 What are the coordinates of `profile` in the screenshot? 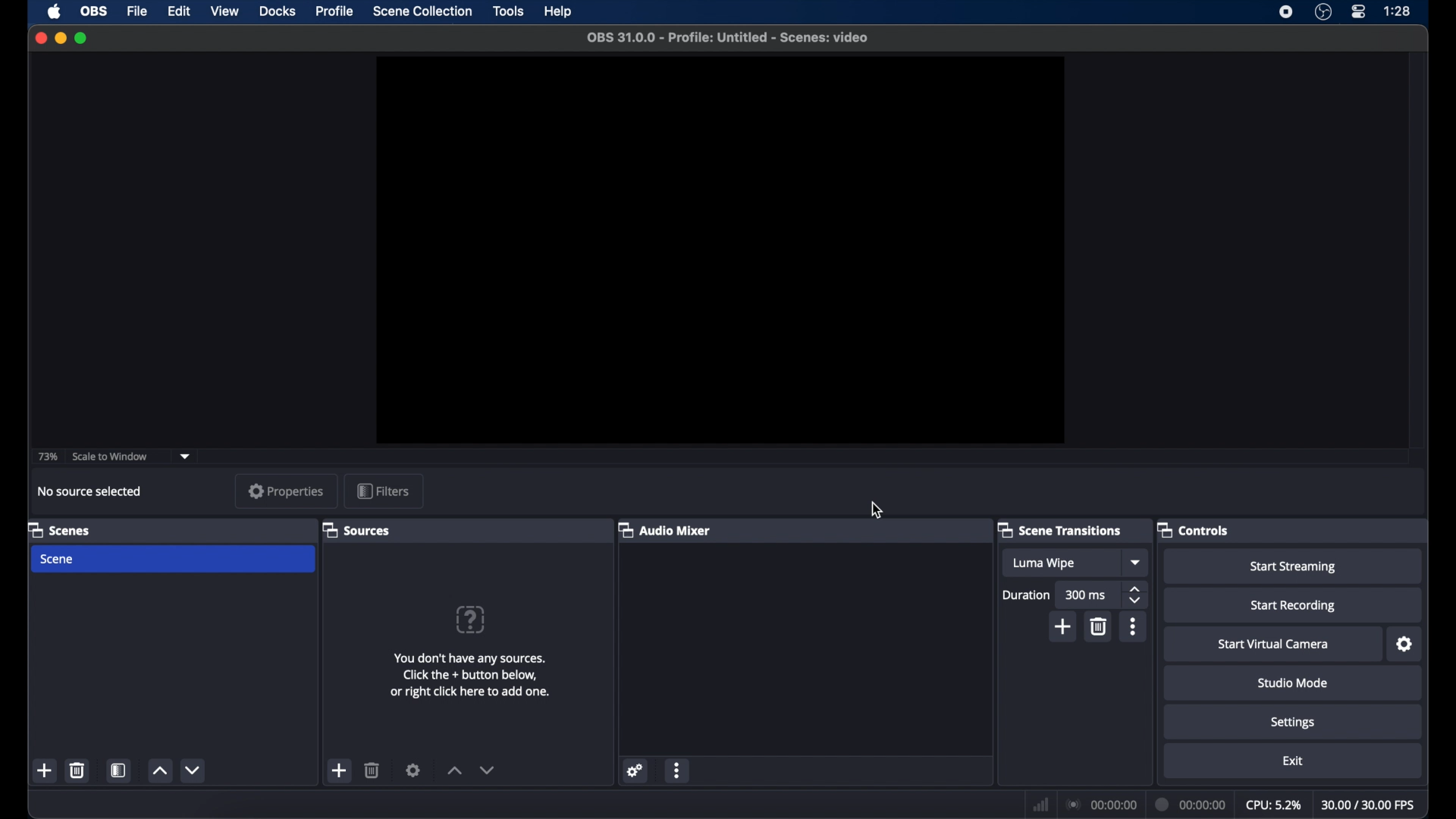 It's located at (335, 11).